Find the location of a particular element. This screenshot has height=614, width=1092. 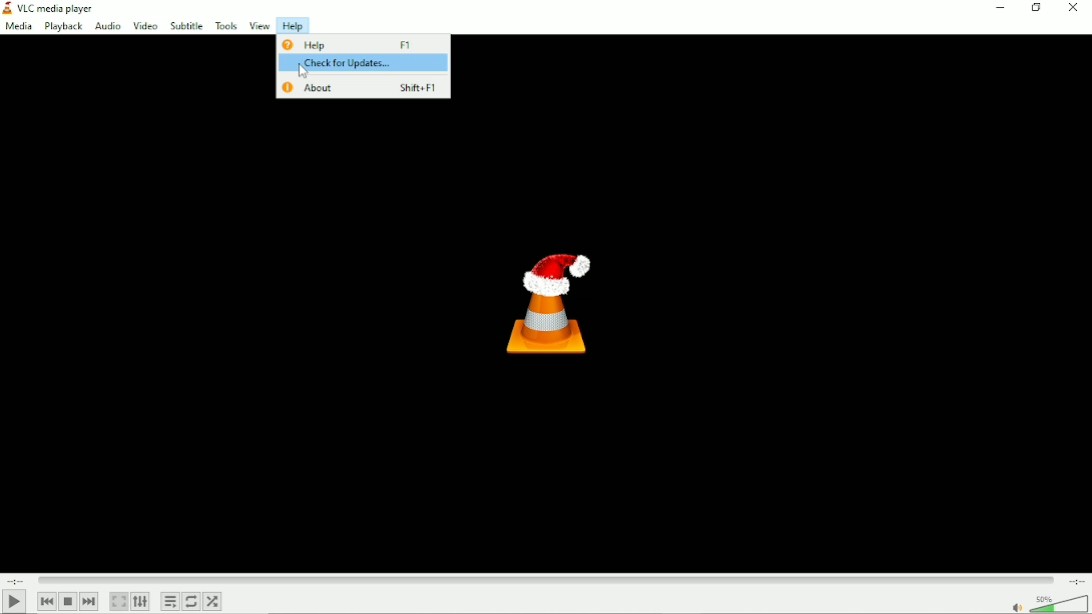

Subtitle is located at coordinates (186, 25).